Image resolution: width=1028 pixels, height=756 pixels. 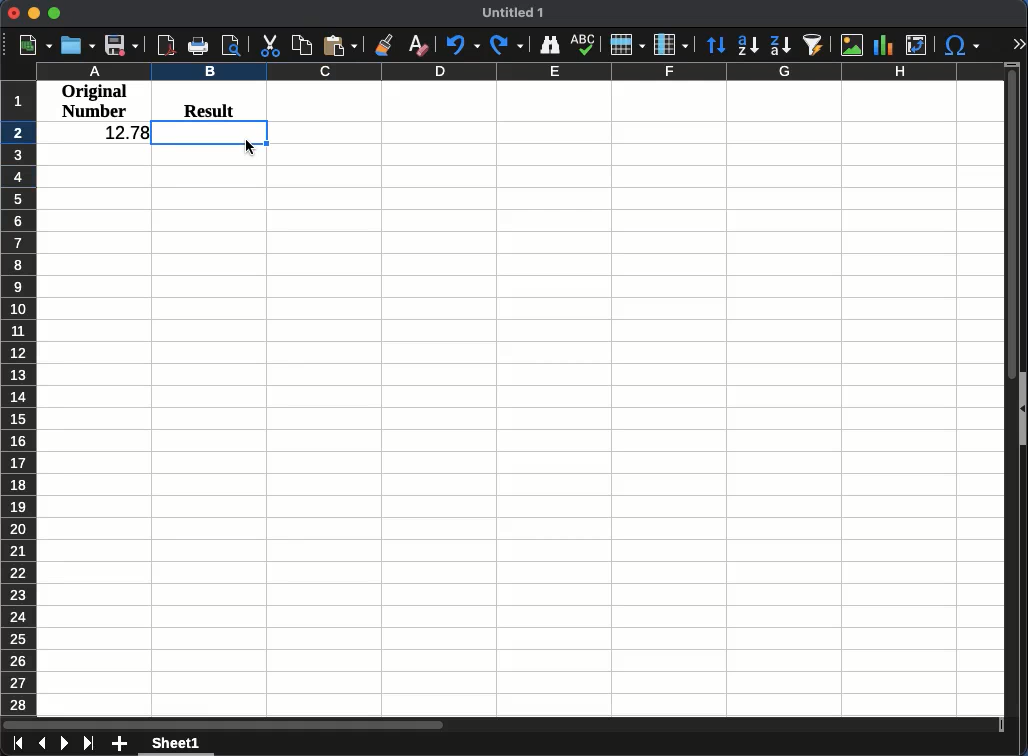 What do you see at coordinates (960, 47) in the screenshot?
I see `special character` at bounding box center [960, 47].